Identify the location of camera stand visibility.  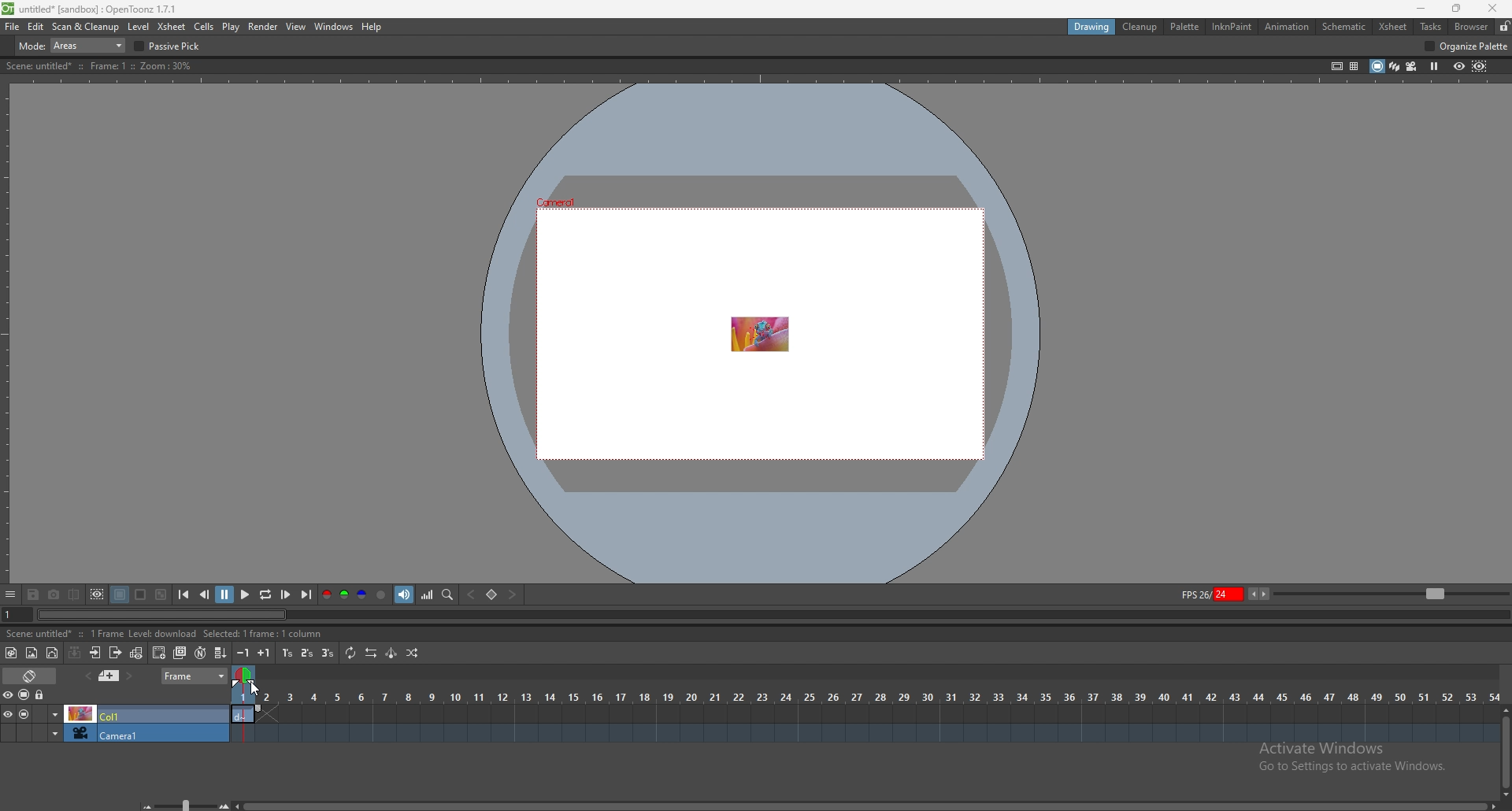
(25, 695).